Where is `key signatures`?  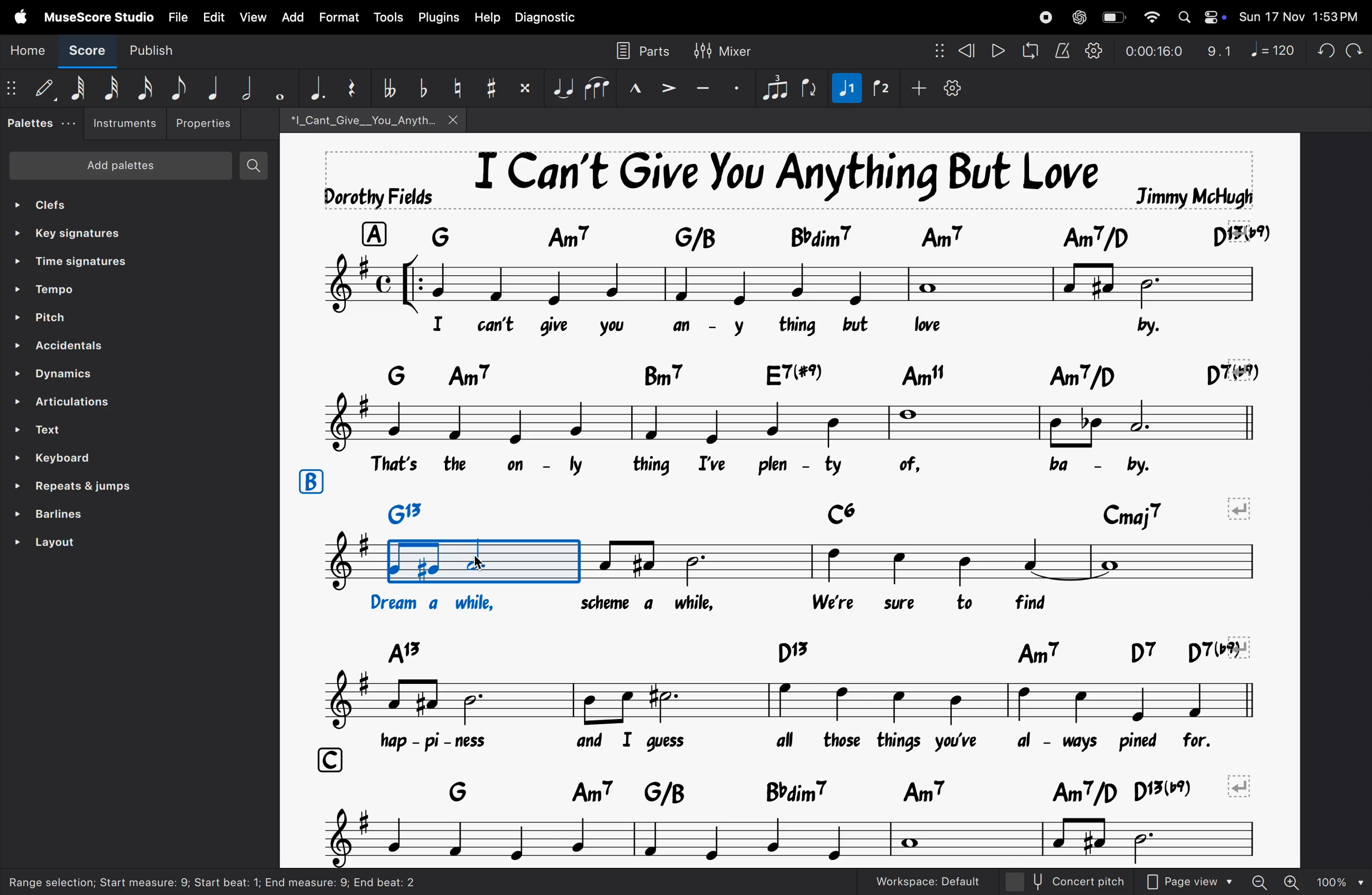 key signatures is located at coordinates (73, 231).